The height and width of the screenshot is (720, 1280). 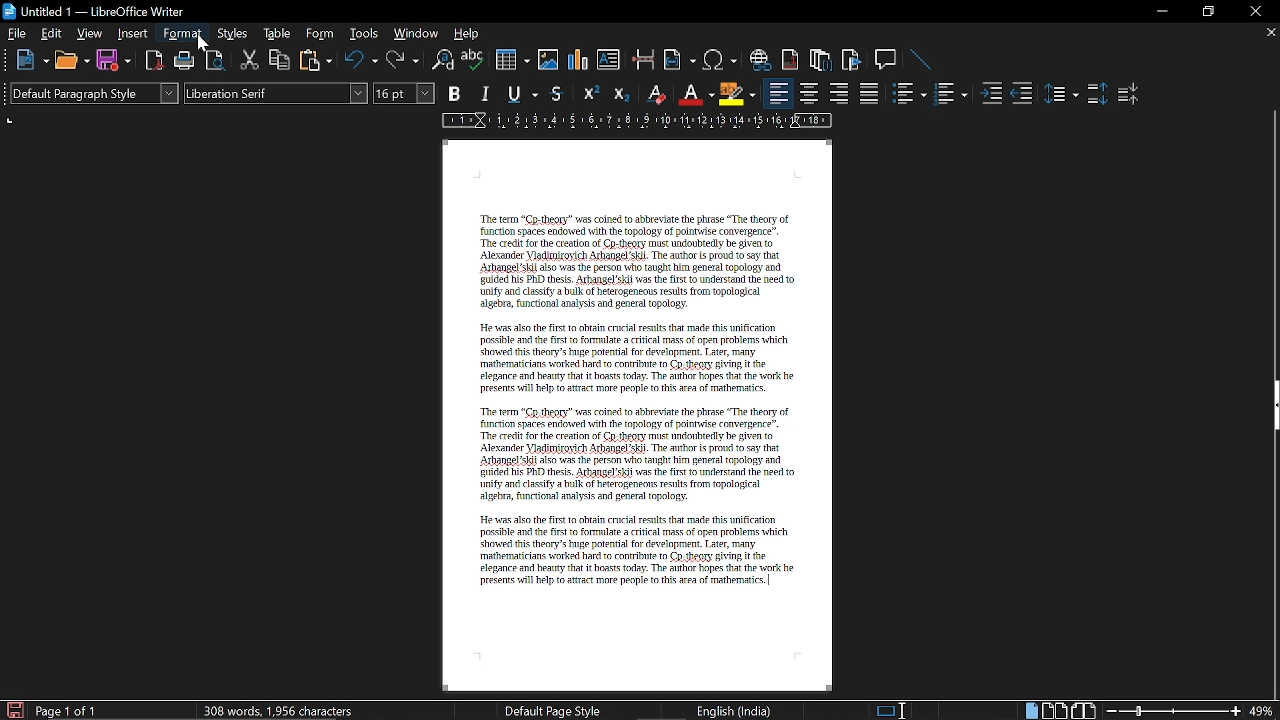 What do you see at coordinates (362, 60) in the screenshot?
I see `Undo` at bounding box center [362, 60].